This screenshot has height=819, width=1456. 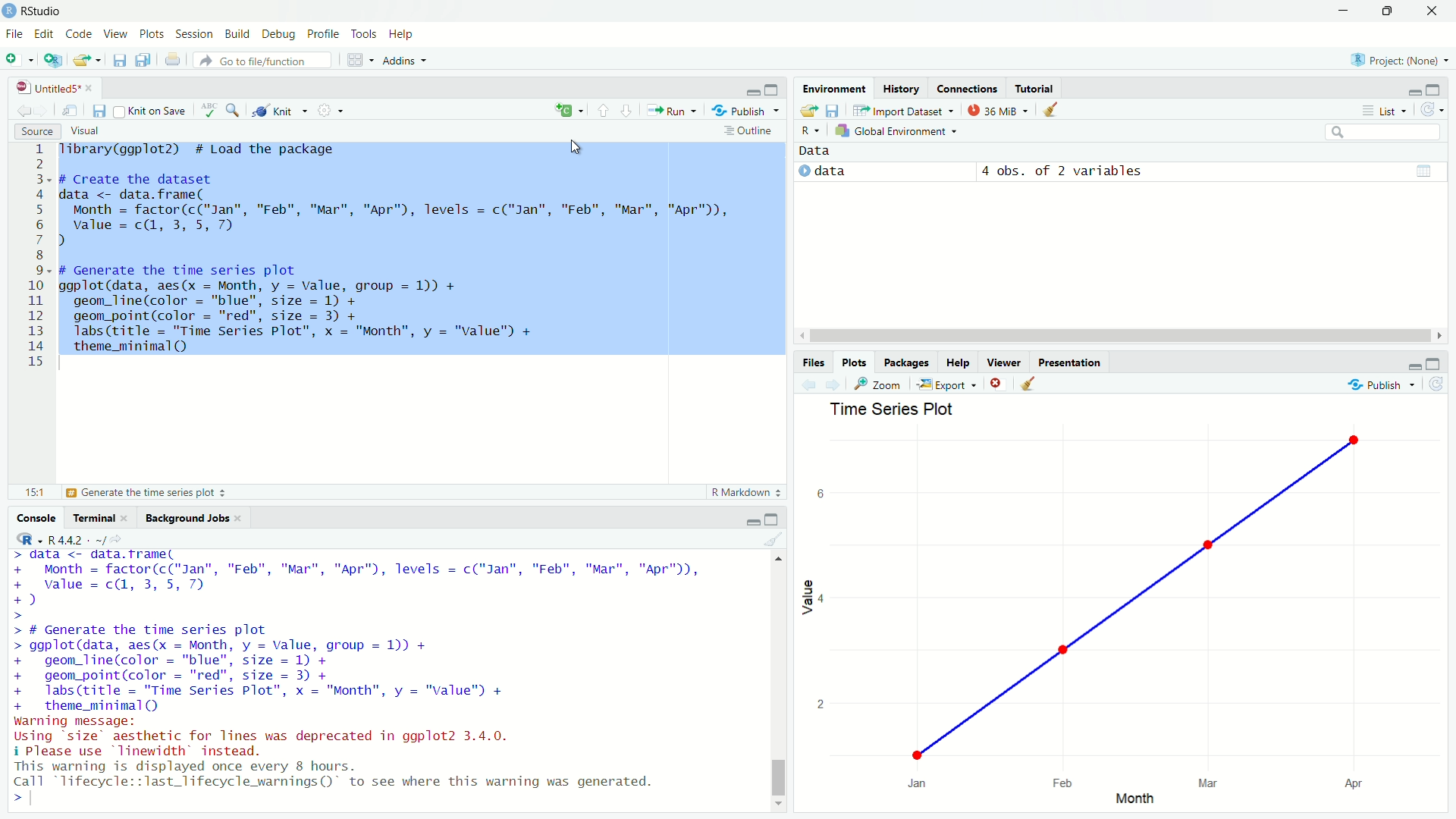 What do you see at coordinates (1035, 86) in the screenshot?
I see `tutorial` at bounding box center [1035, 86].